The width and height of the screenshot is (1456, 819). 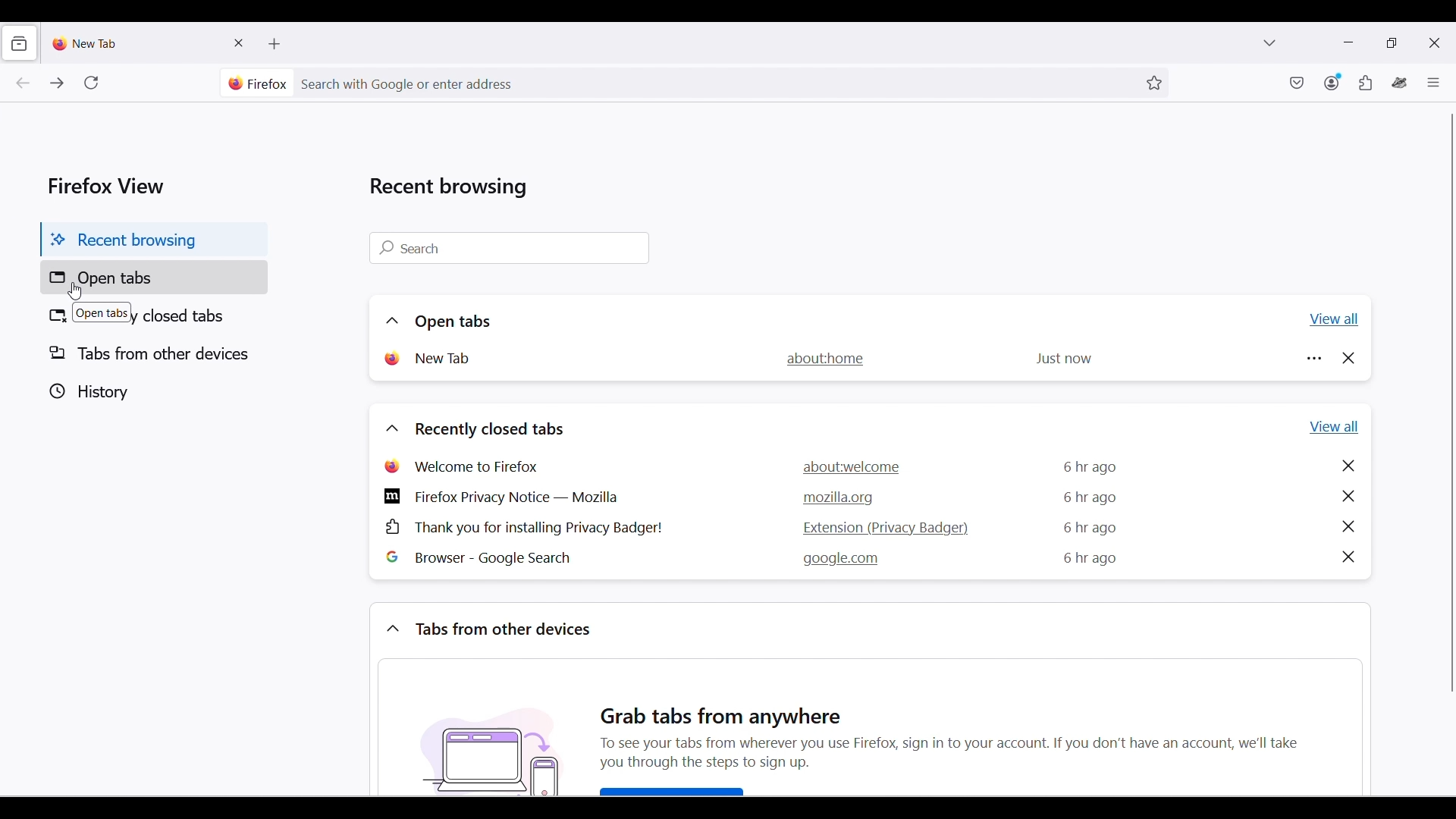 I want to click on Bookmark this page, so click(x=1155, y=83).